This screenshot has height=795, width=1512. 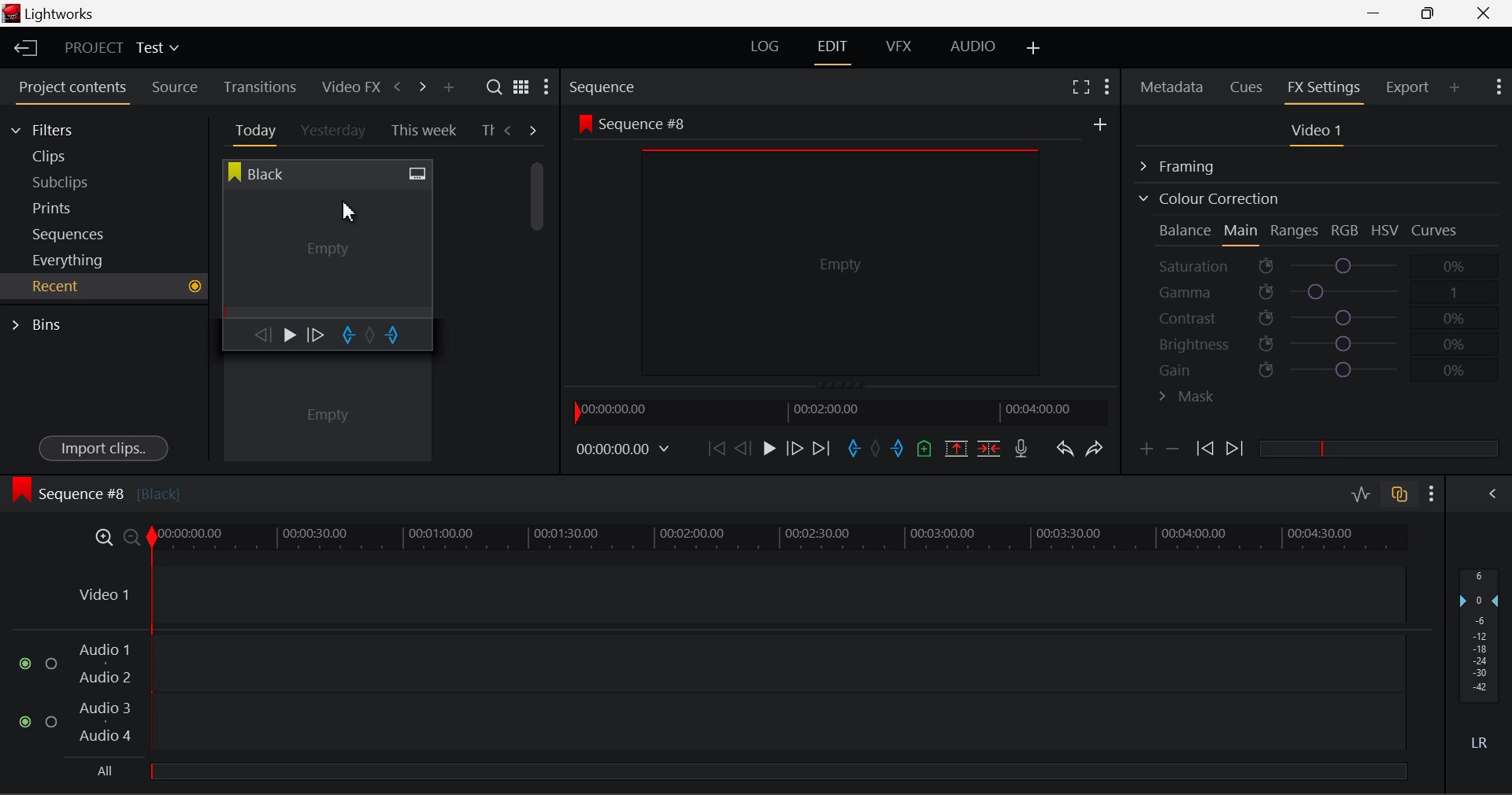 I want to click on Project Title, so click(x=122, y=49).